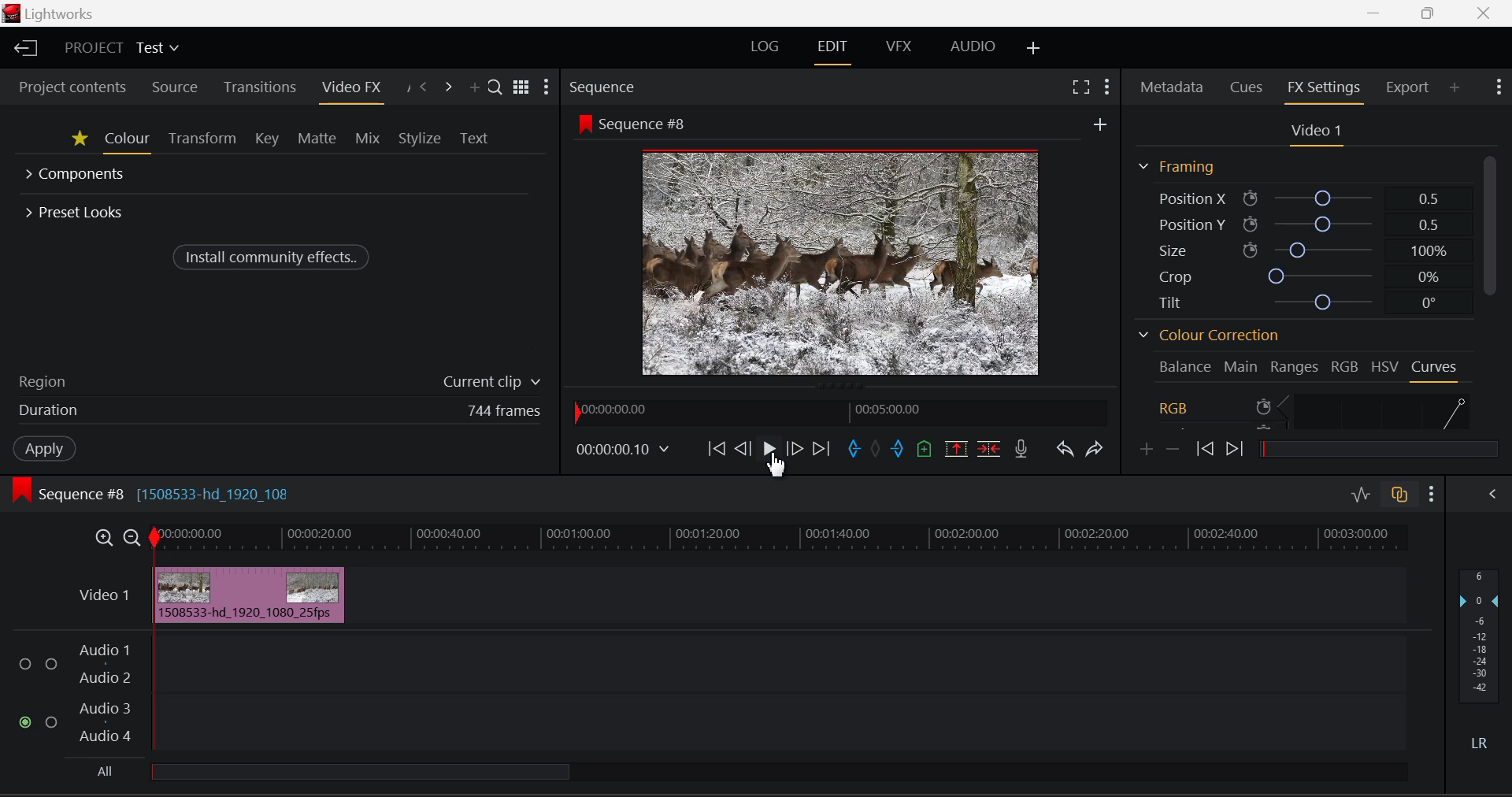  Describe the element at coordinates (495, 85) in the screenshot. I see `Search` at that location.